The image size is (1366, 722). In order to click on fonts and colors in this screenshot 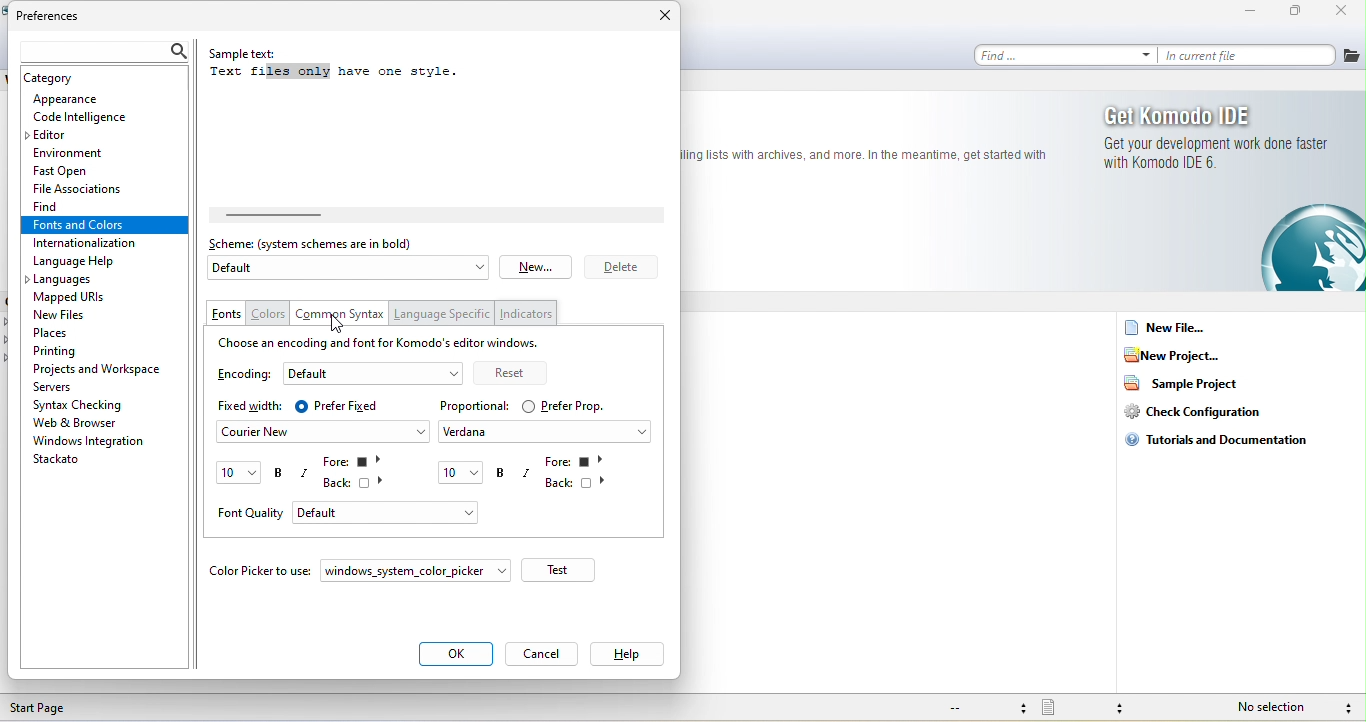, I will do `click(97, 224)`.